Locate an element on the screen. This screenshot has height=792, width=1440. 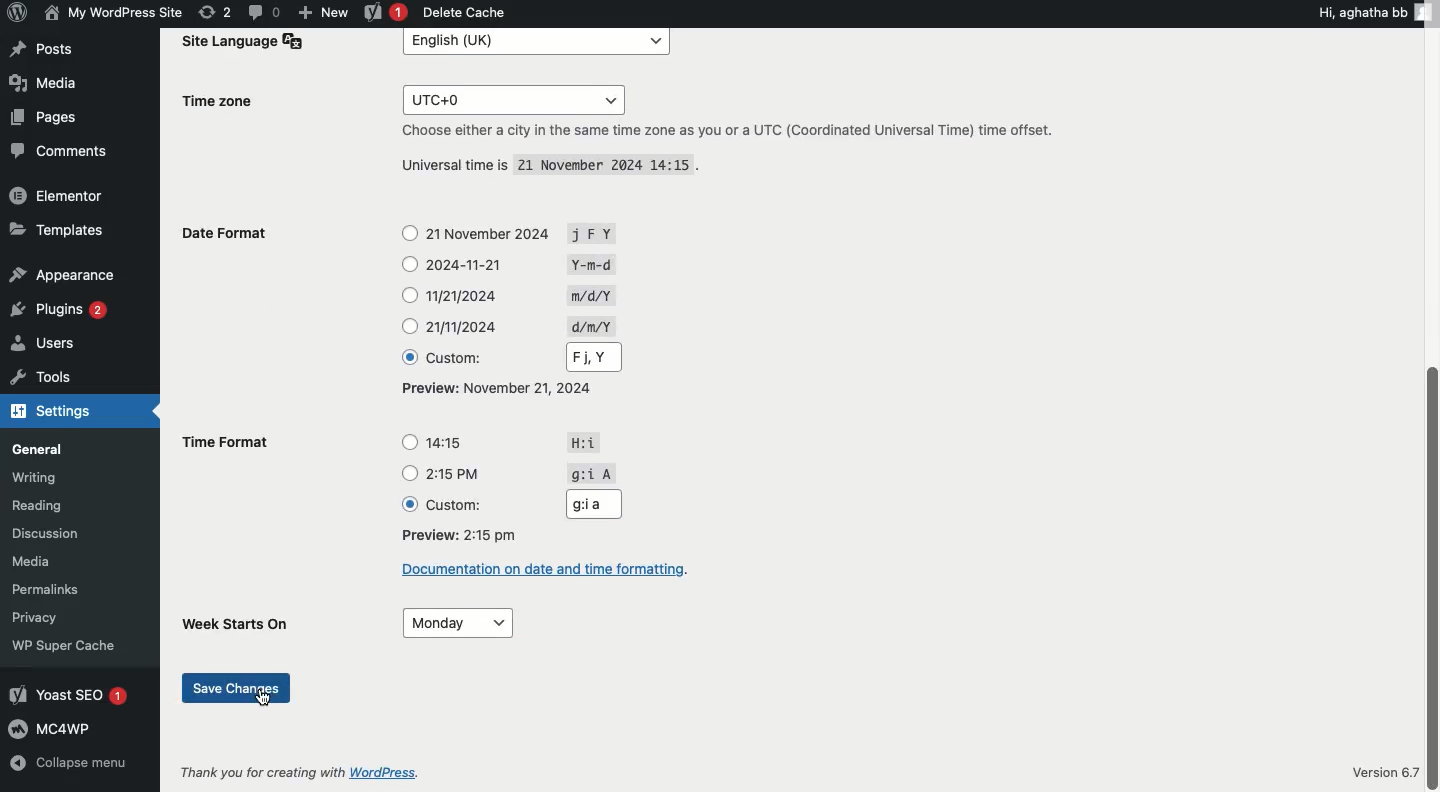
Permalinks is located at coordinates (49, 590).